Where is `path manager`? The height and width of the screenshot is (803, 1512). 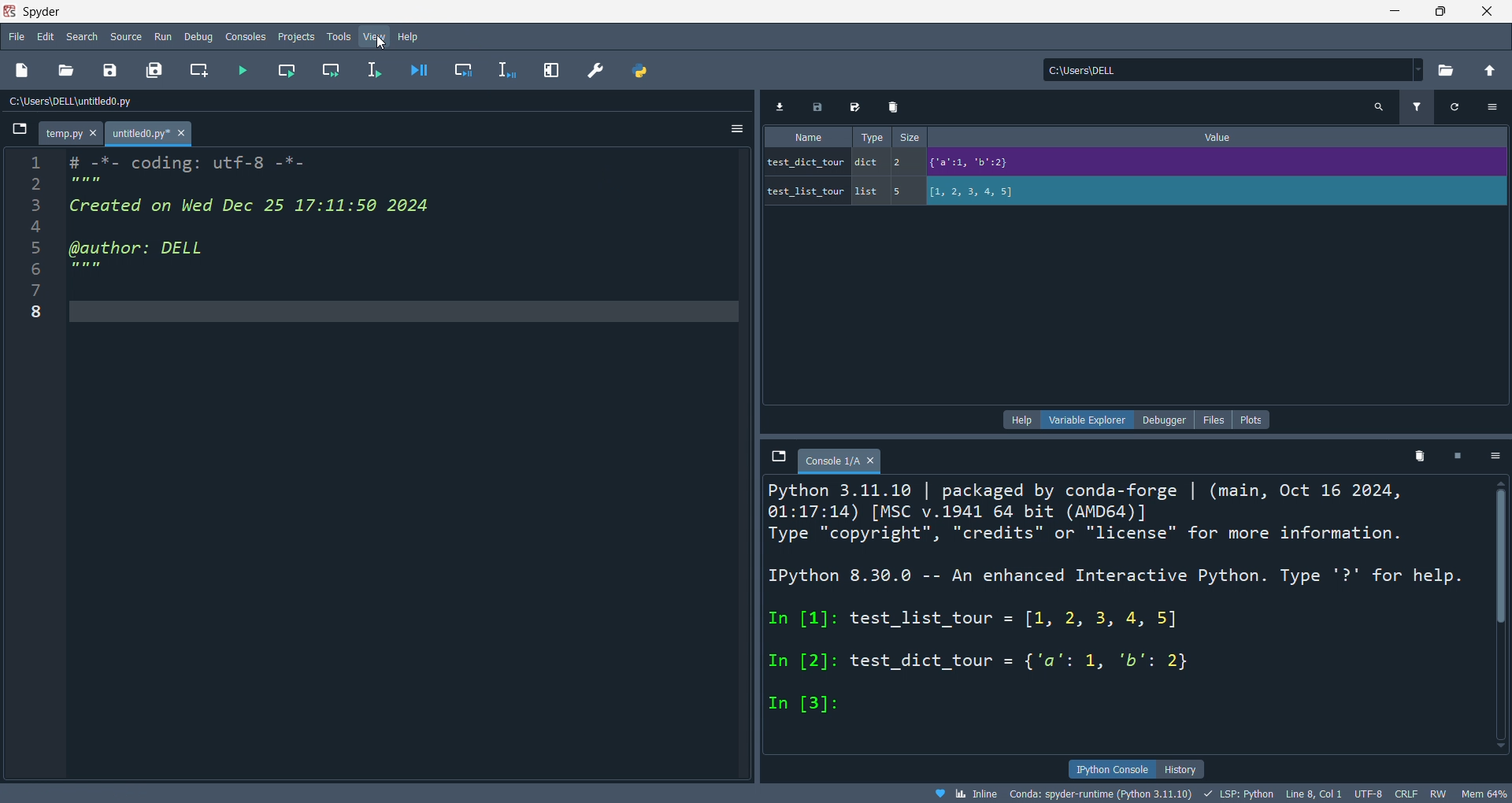 path manager is located at coordinates (638, 71).